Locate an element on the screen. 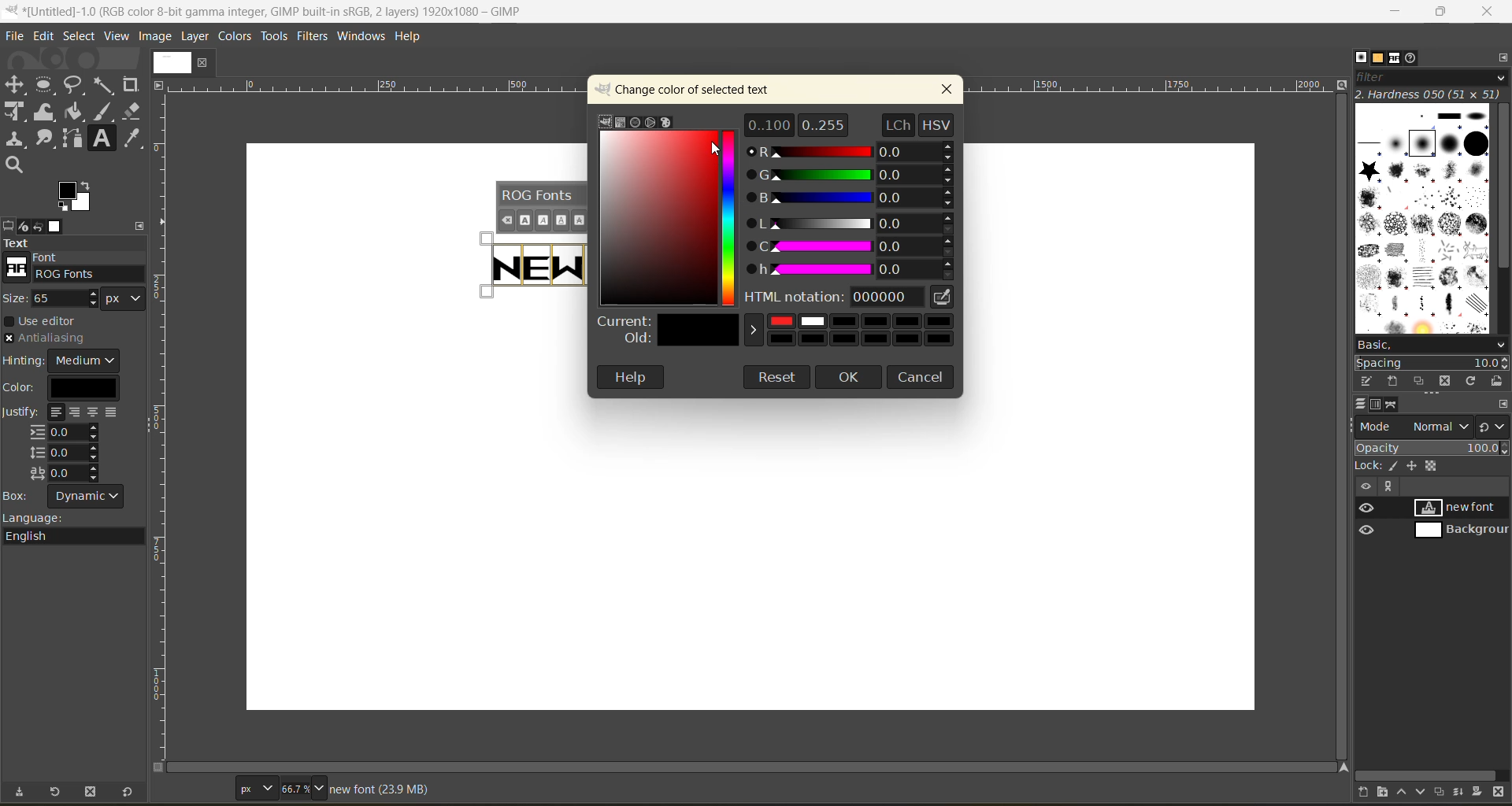 This screenshot has height=806, width=1512. hardness is located at coordinates (1431, 94).